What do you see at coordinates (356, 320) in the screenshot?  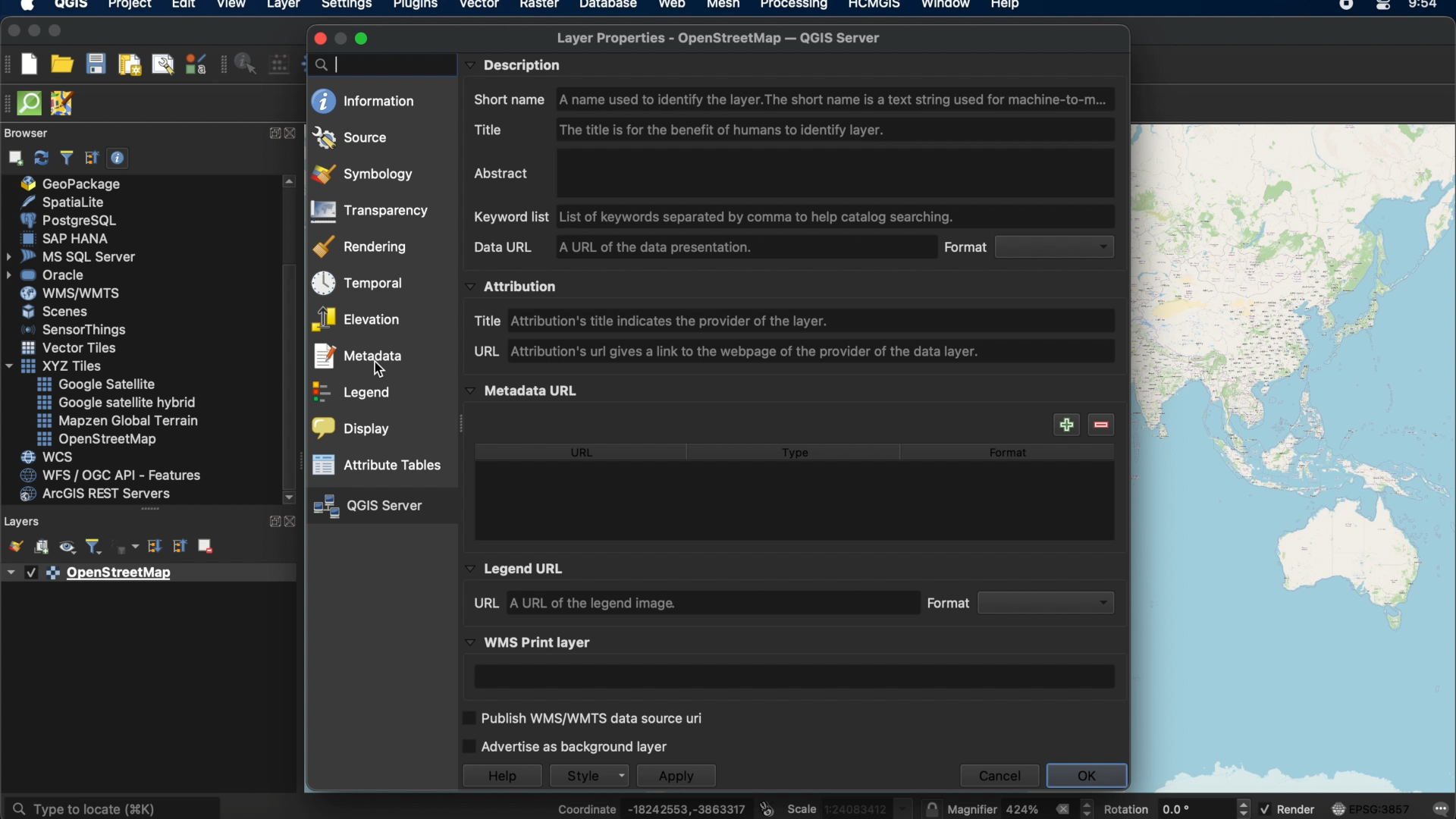 I see `elevation` at bounding box center [356, 320].